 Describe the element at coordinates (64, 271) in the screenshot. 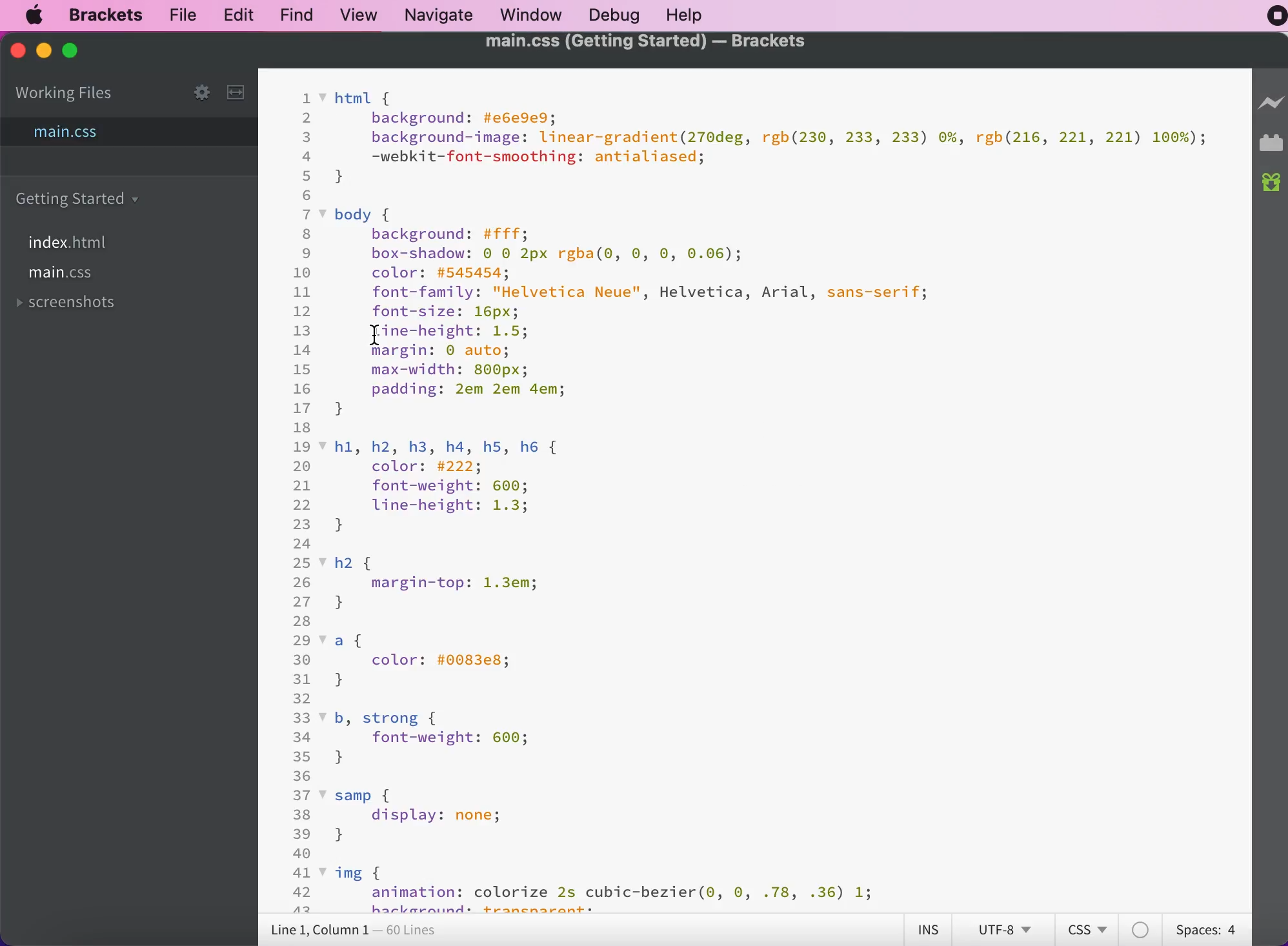

I see `main.css` at that location.